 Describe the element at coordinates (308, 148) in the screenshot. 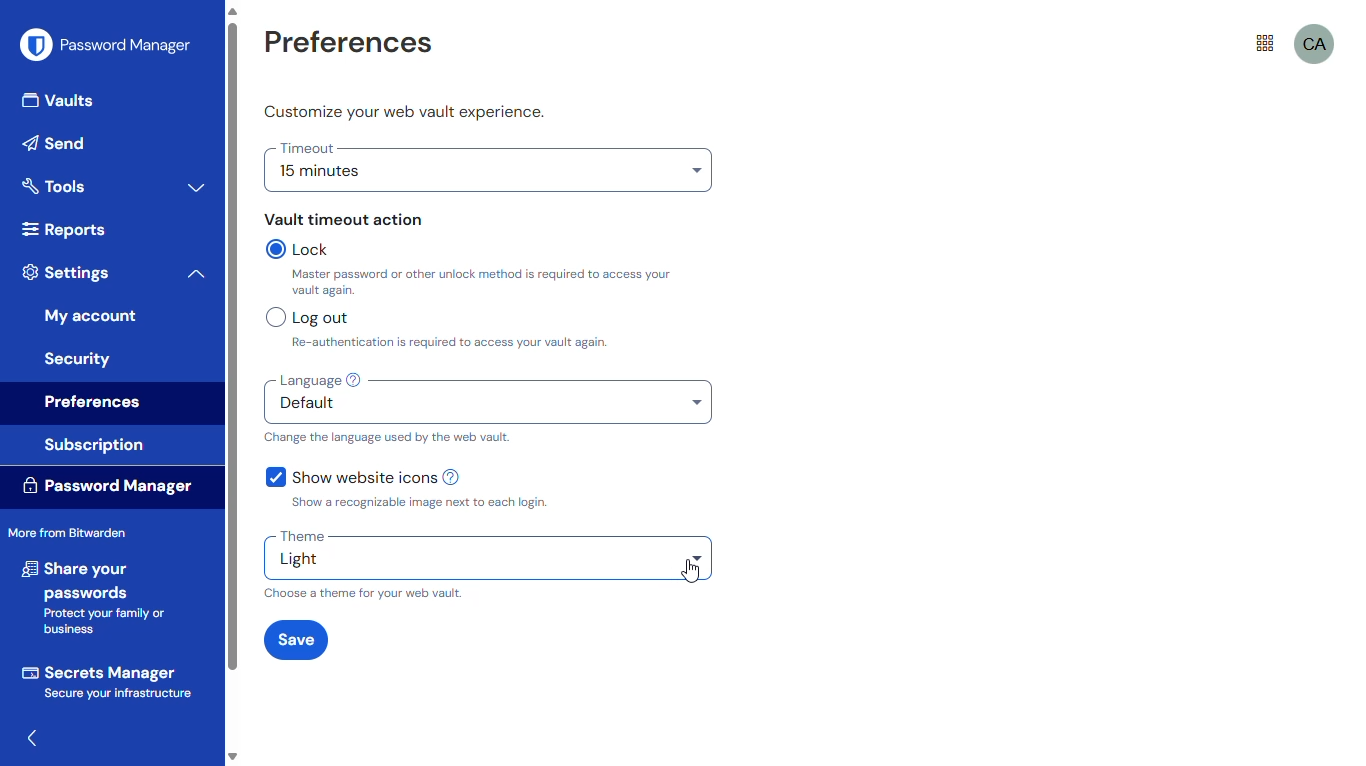

I see `timeout` at that location.